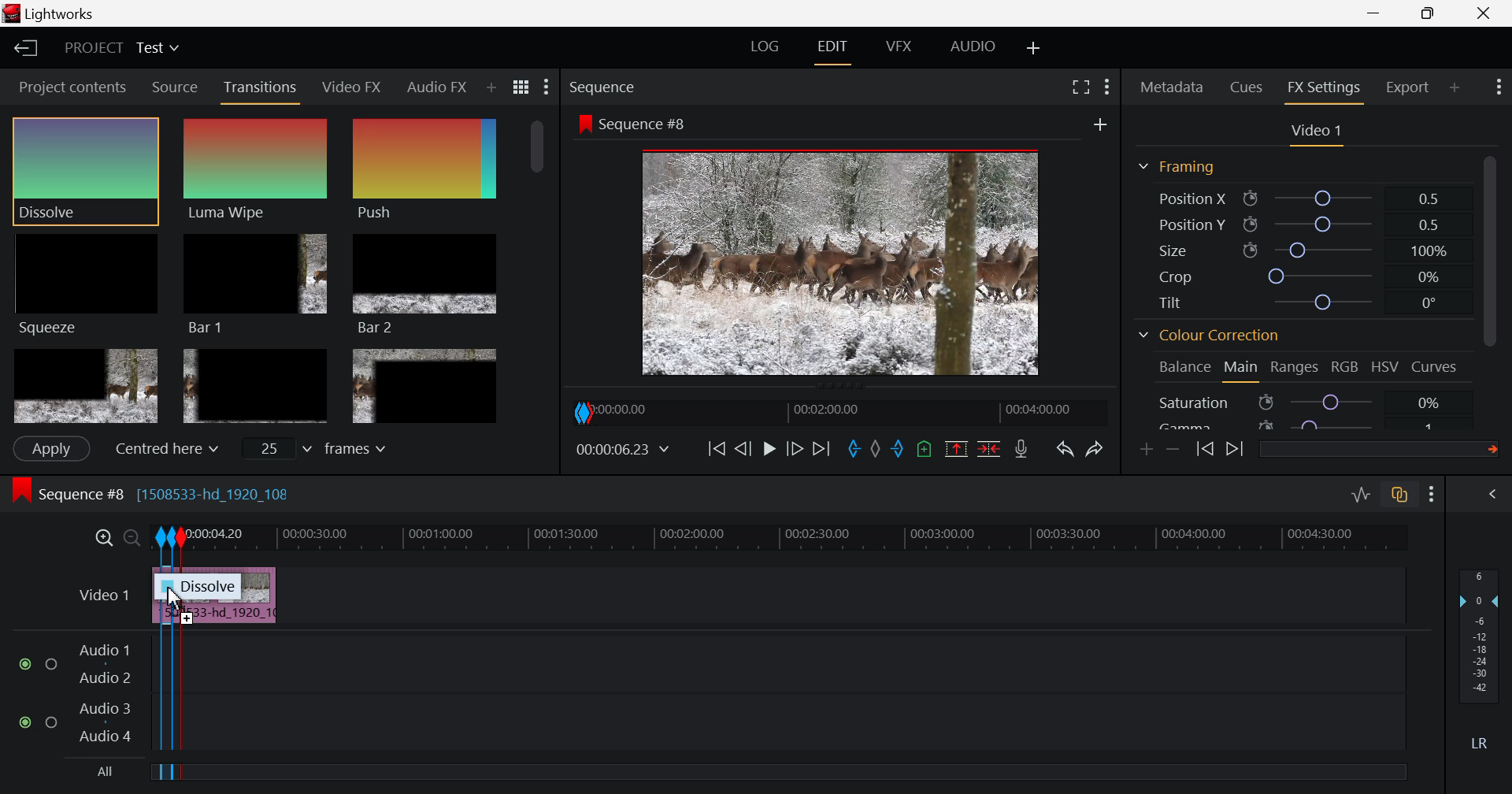 This screenshot has width=1512, height=794. What do you see at coordinates (1318, 132) in the screenshot?
I see `Video 1 settings open` at bounding box center [1318, 132].